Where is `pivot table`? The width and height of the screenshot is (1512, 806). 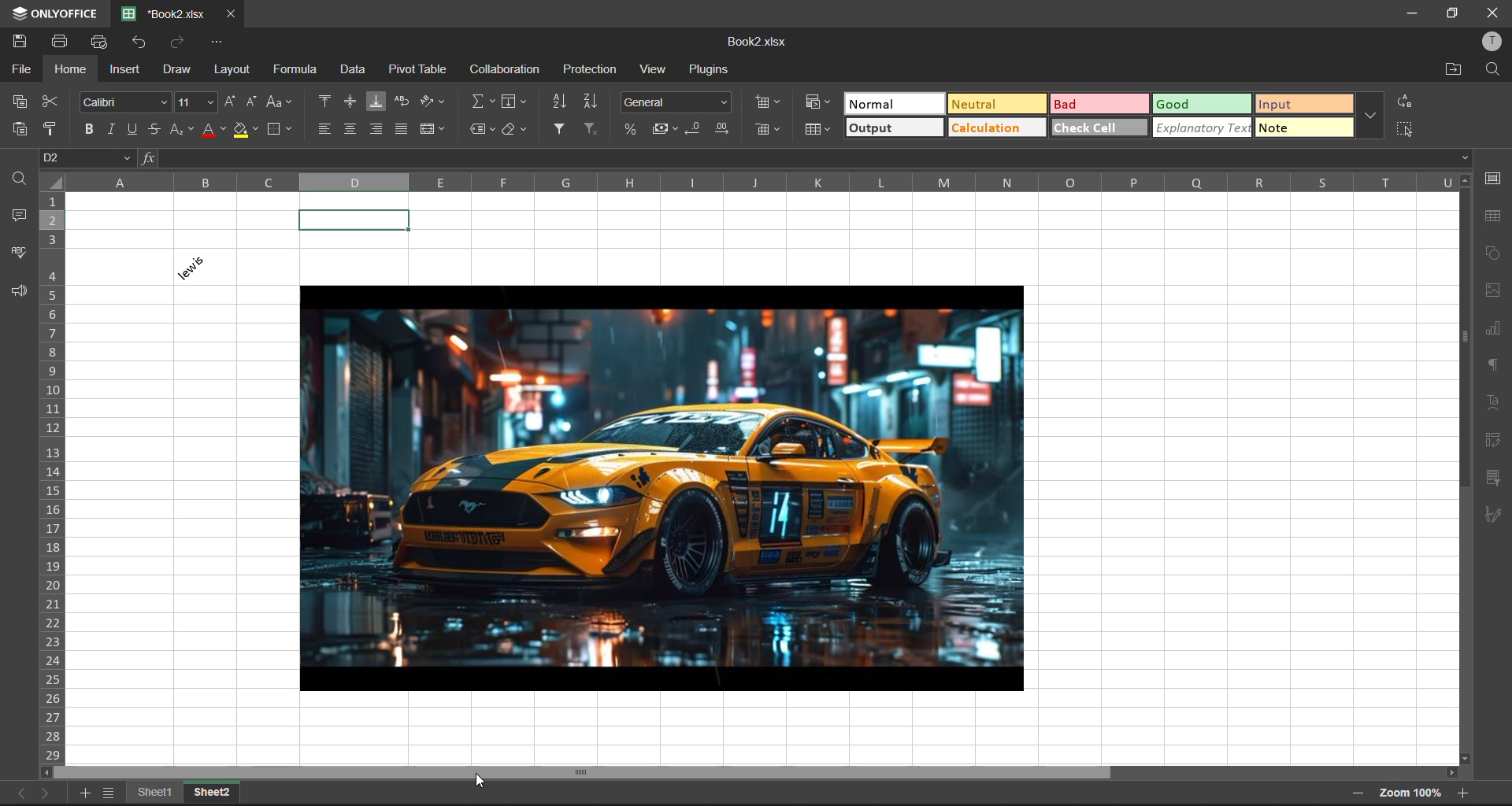
pivot table is located at coordinates (1495, 442).